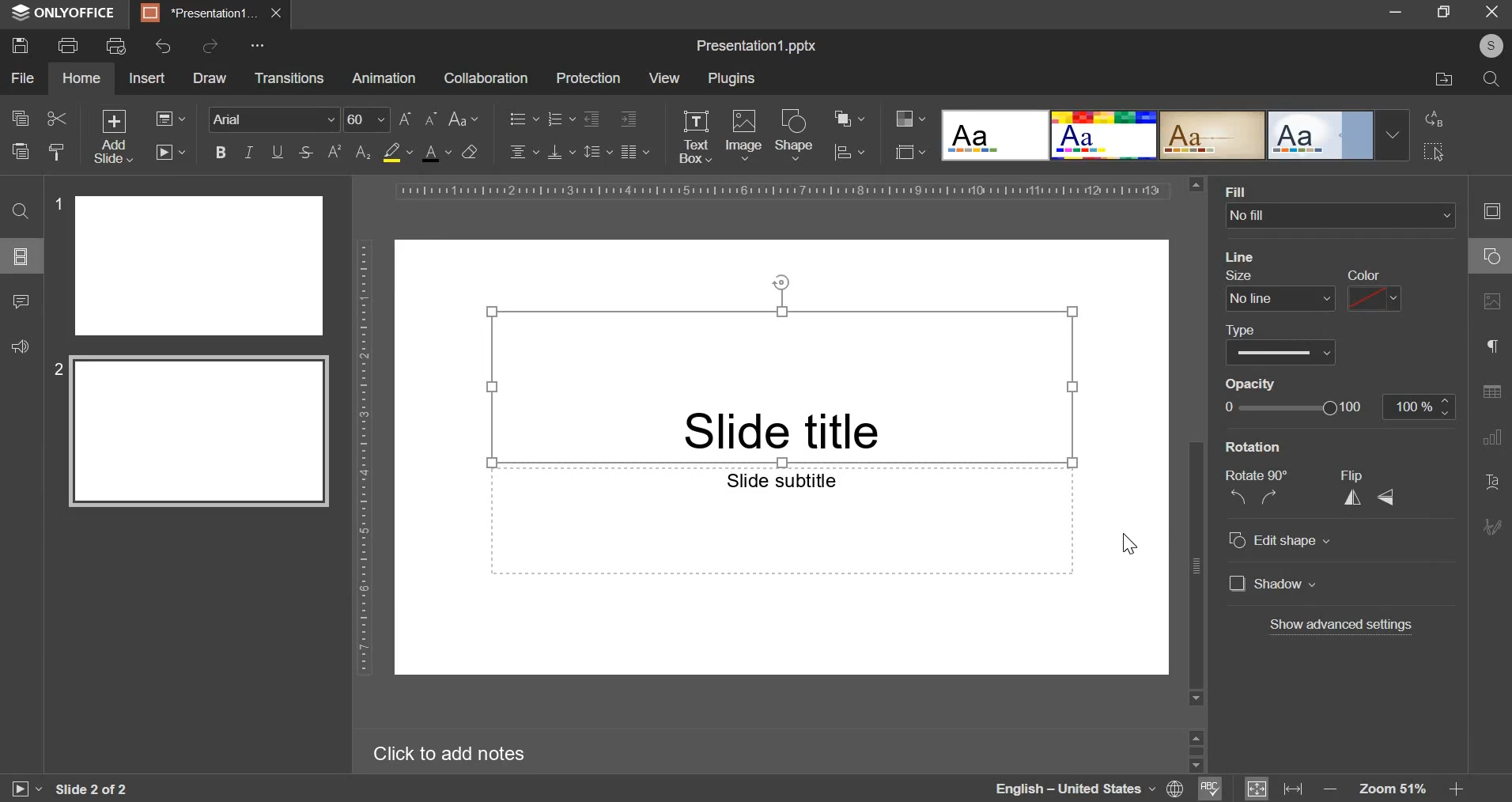 The image size is (1512, 802). I want to click on configure quick access toolbar, so click(260, 45).